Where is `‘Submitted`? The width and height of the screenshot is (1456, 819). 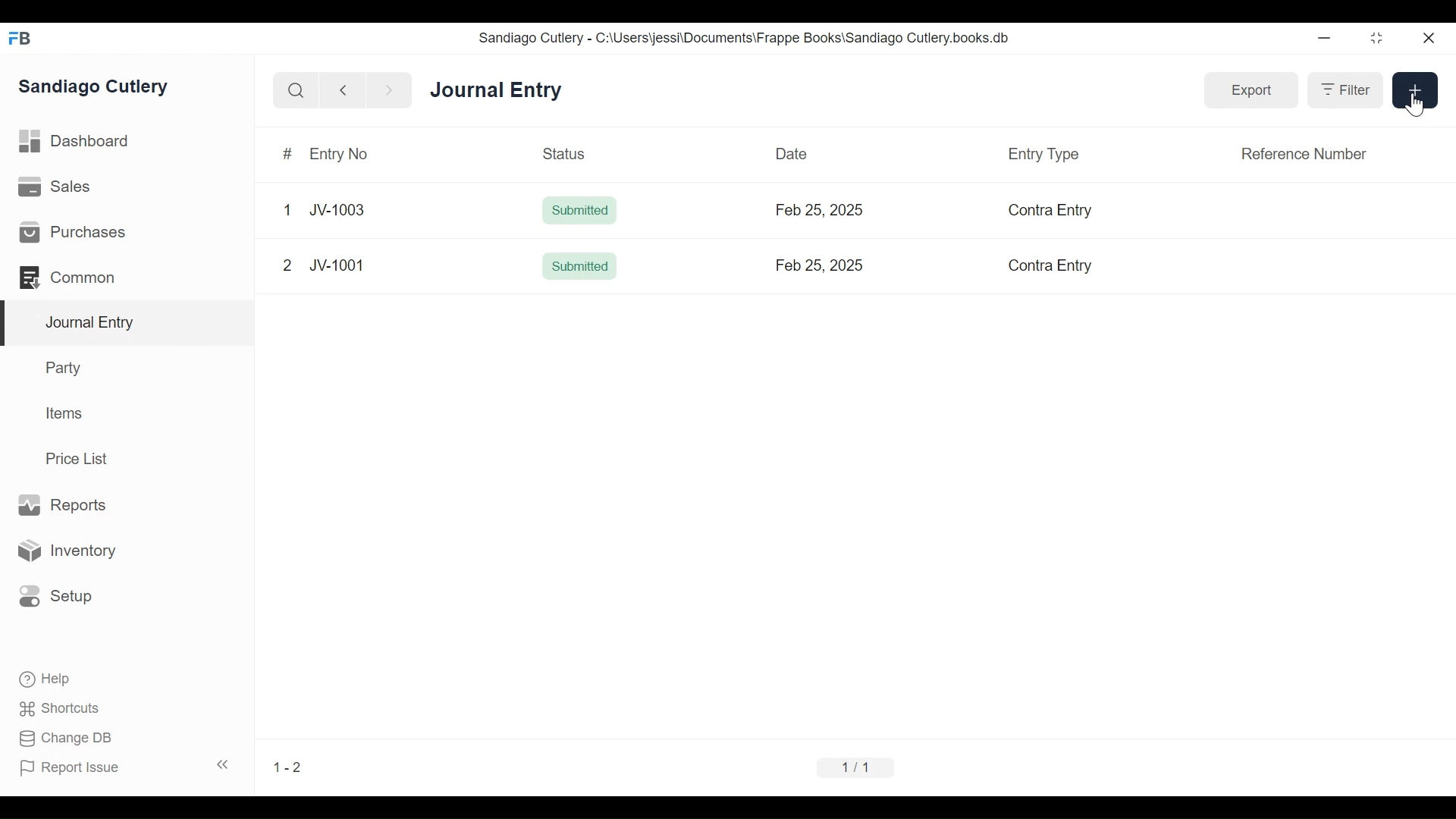
‘Submitted is located at coordinates (579, 266).